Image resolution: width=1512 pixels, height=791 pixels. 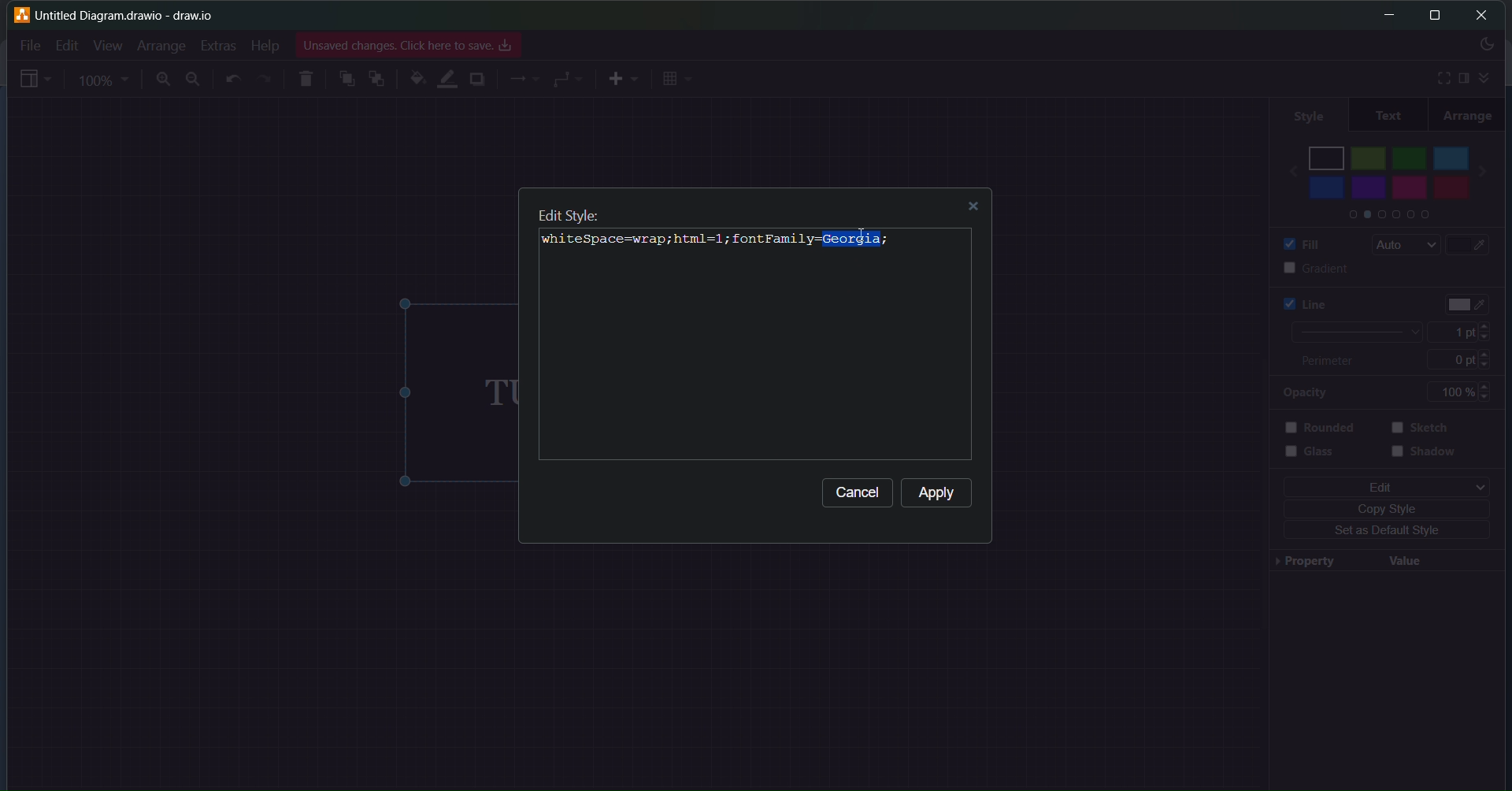 What do you see at coordinates (1296, 243) in the screenshot?
I see `fill` at bounding box center [1296, 243].